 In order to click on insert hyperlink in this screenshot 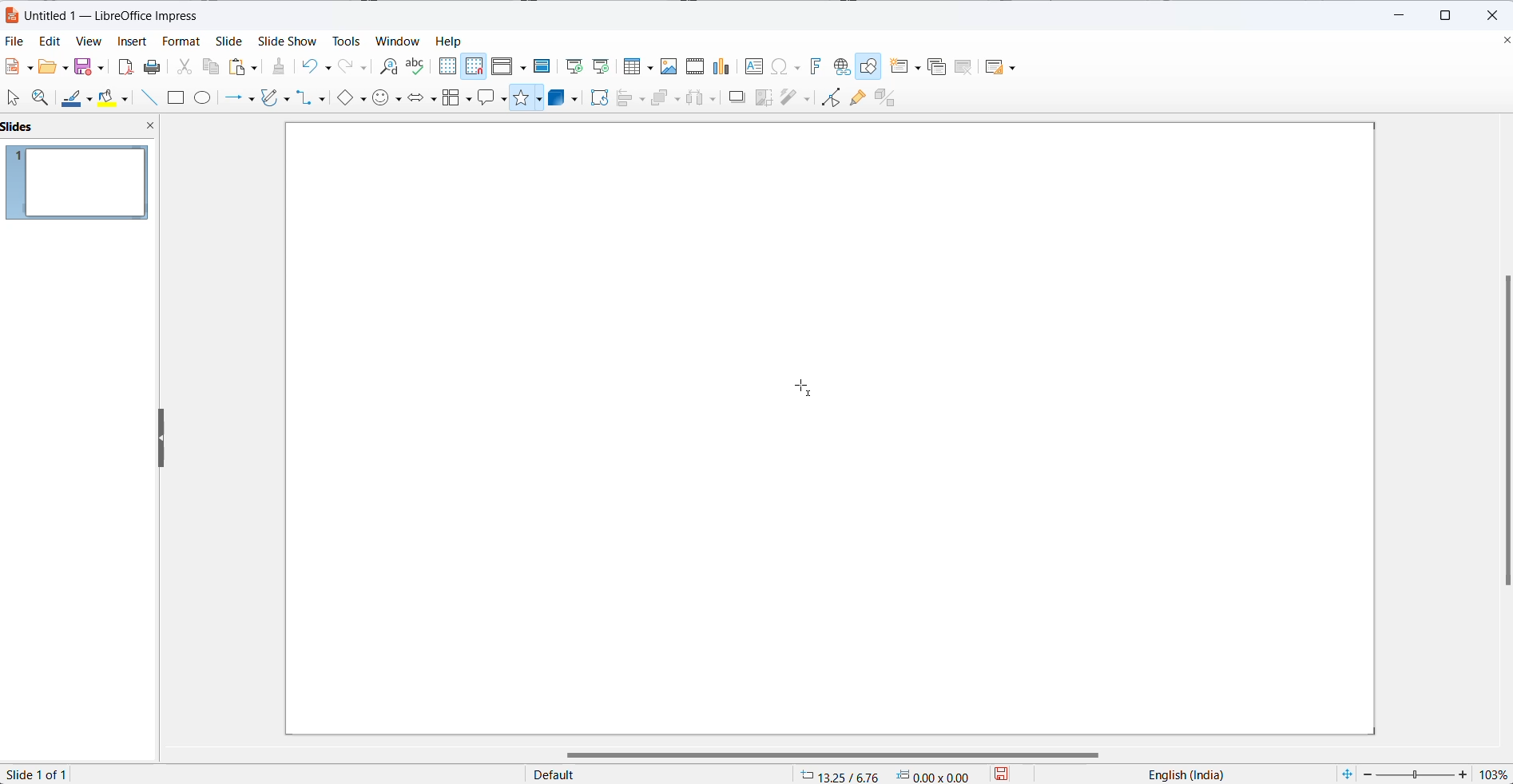, I will do `click(841, 66)`.